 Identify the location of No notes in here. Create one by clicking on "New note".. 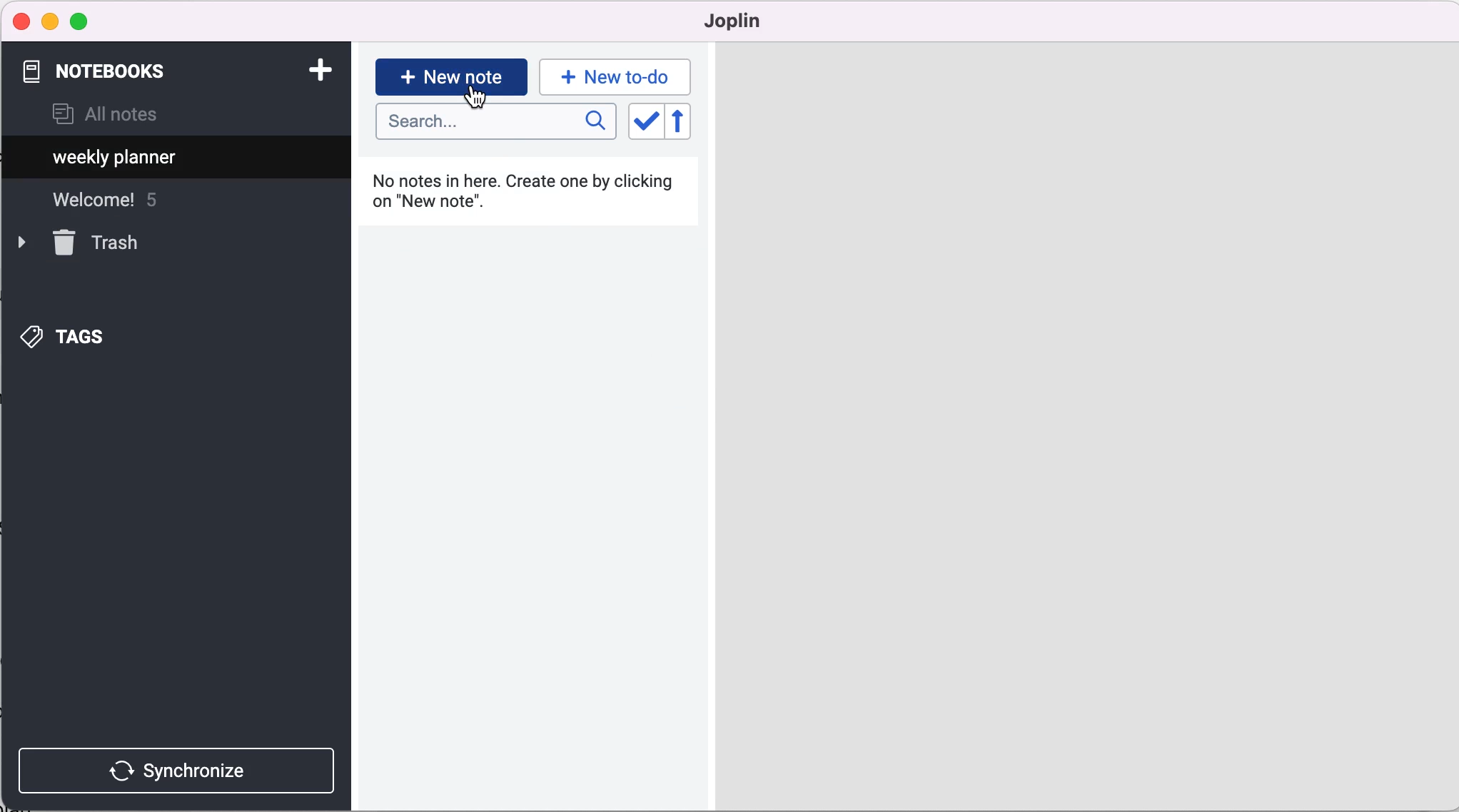
(529, 197).